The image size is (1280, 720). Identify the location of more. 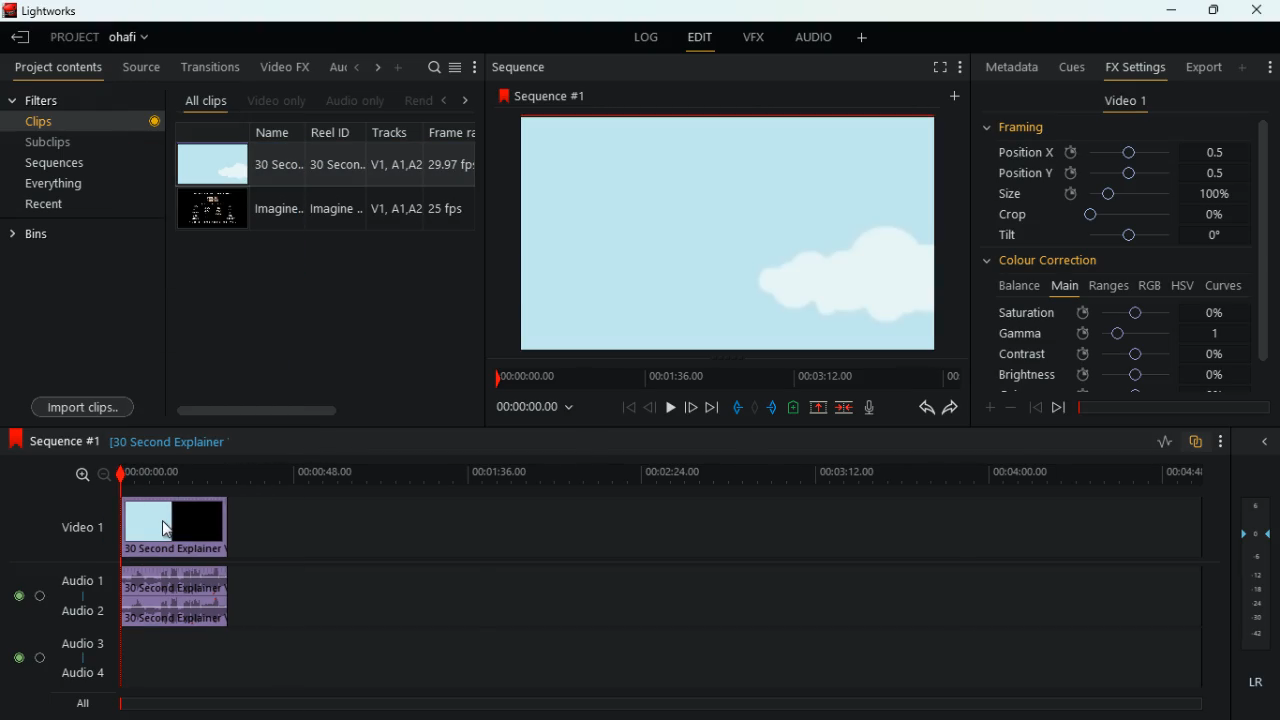
(475, 66).